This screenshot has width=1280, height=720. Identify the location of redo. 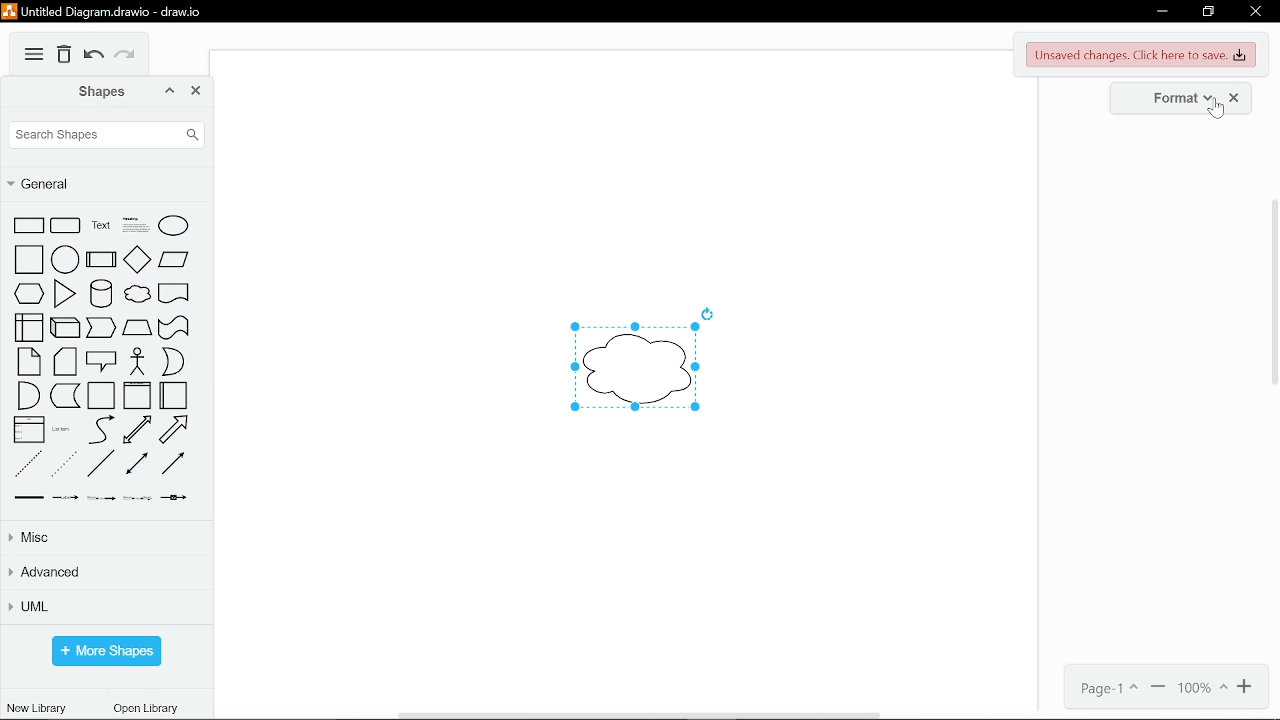
(126, 57).